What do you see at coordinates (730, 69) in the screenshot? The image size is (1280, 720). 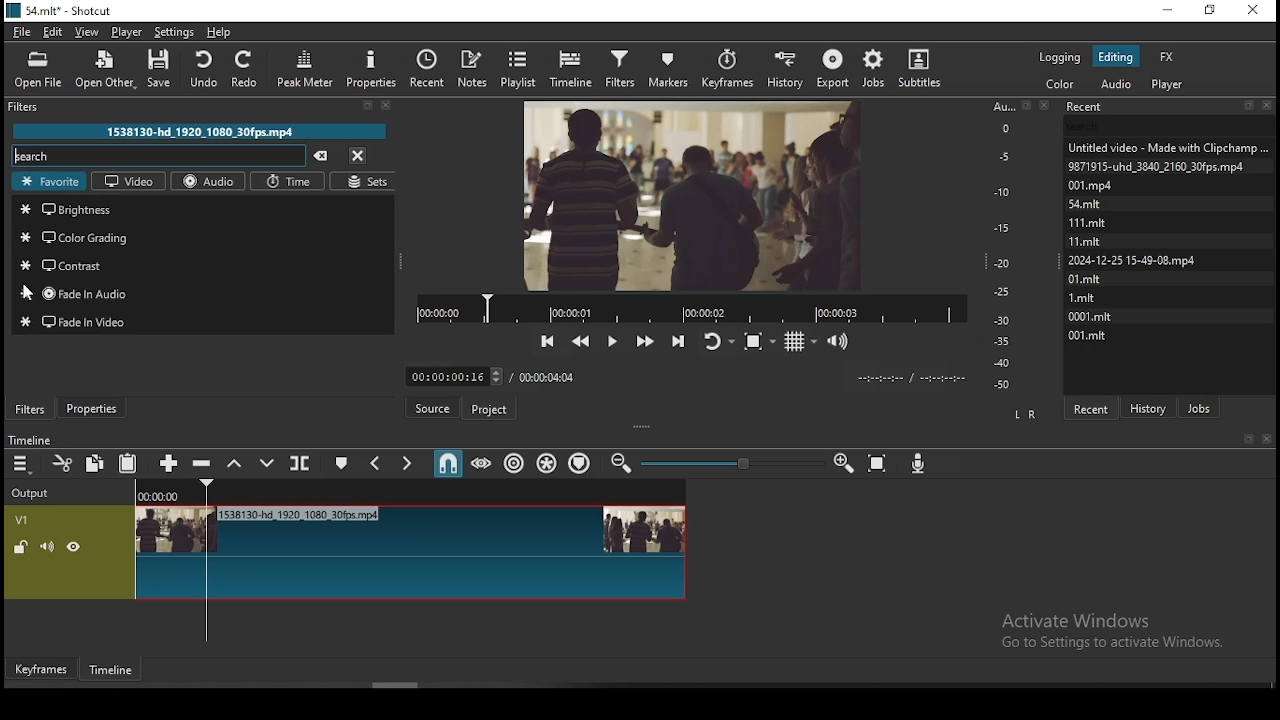 I see `keyframes` at bounding box center [730, 69].